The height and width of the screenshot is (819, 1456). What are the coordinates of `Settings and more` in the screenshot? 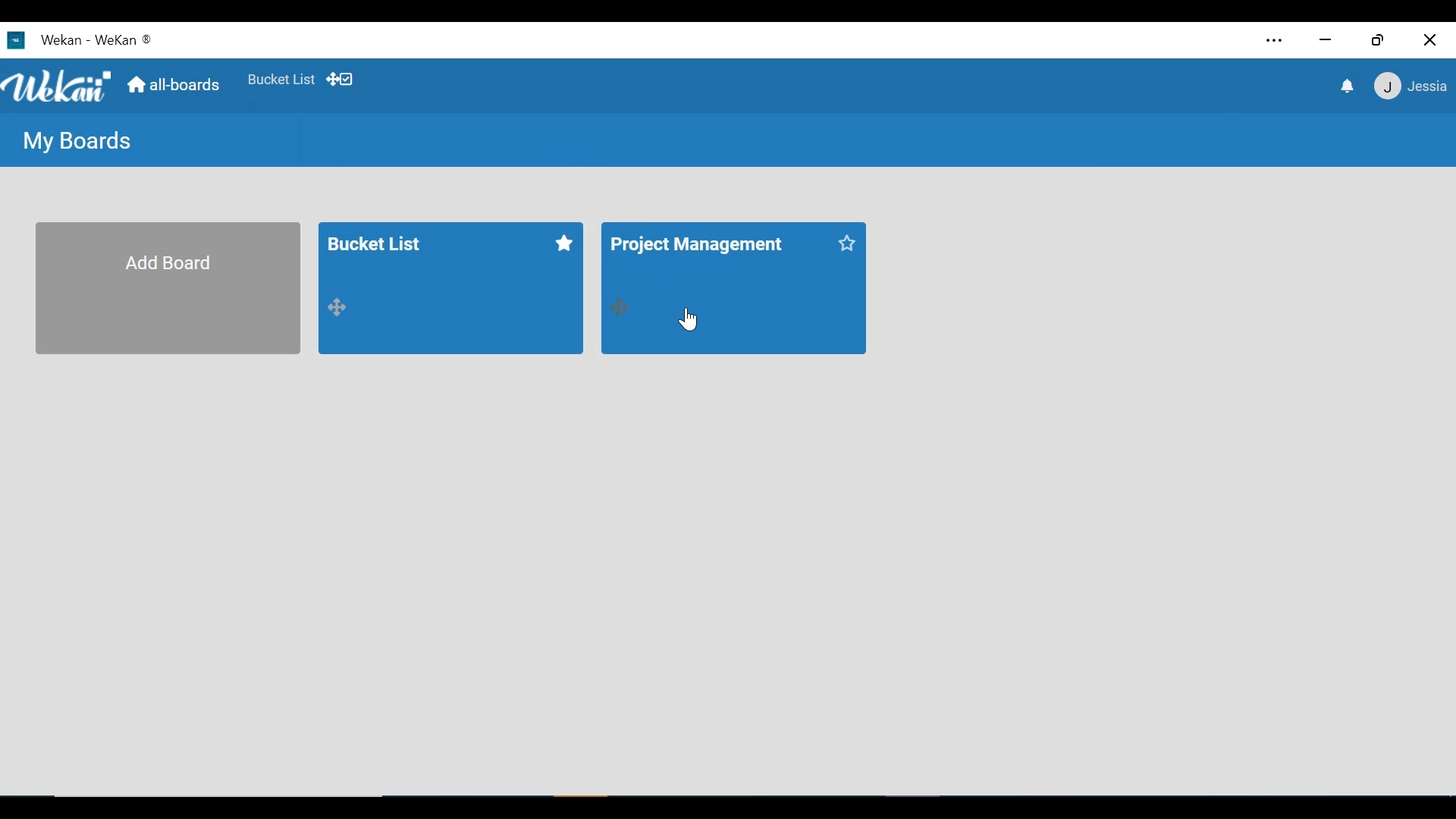 It's located at (1276, 42).